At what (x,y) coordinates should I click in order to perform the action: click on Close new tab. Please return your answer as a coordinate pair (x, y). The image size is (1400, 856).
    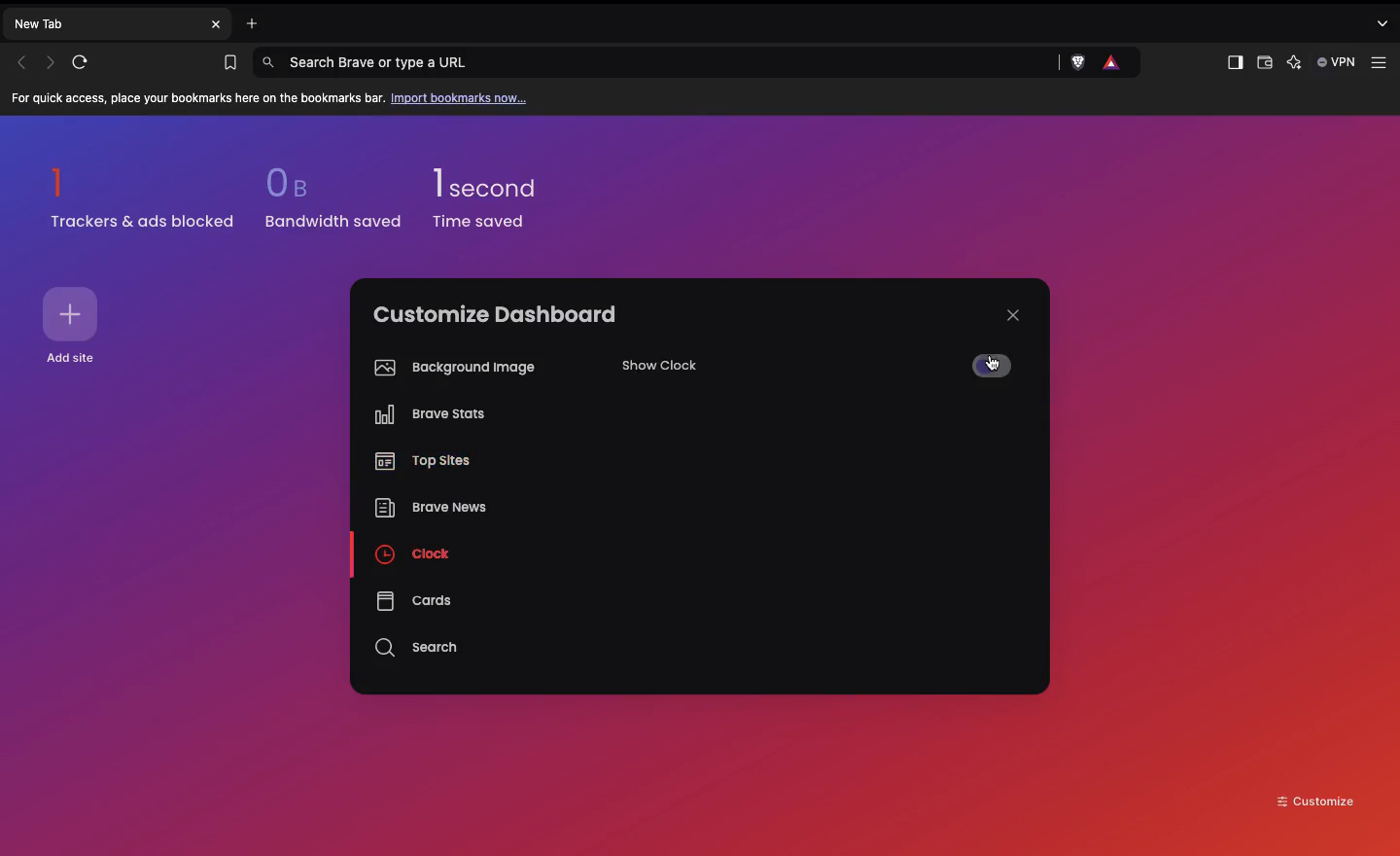
    Looking at the image, I should click on (216, 24).